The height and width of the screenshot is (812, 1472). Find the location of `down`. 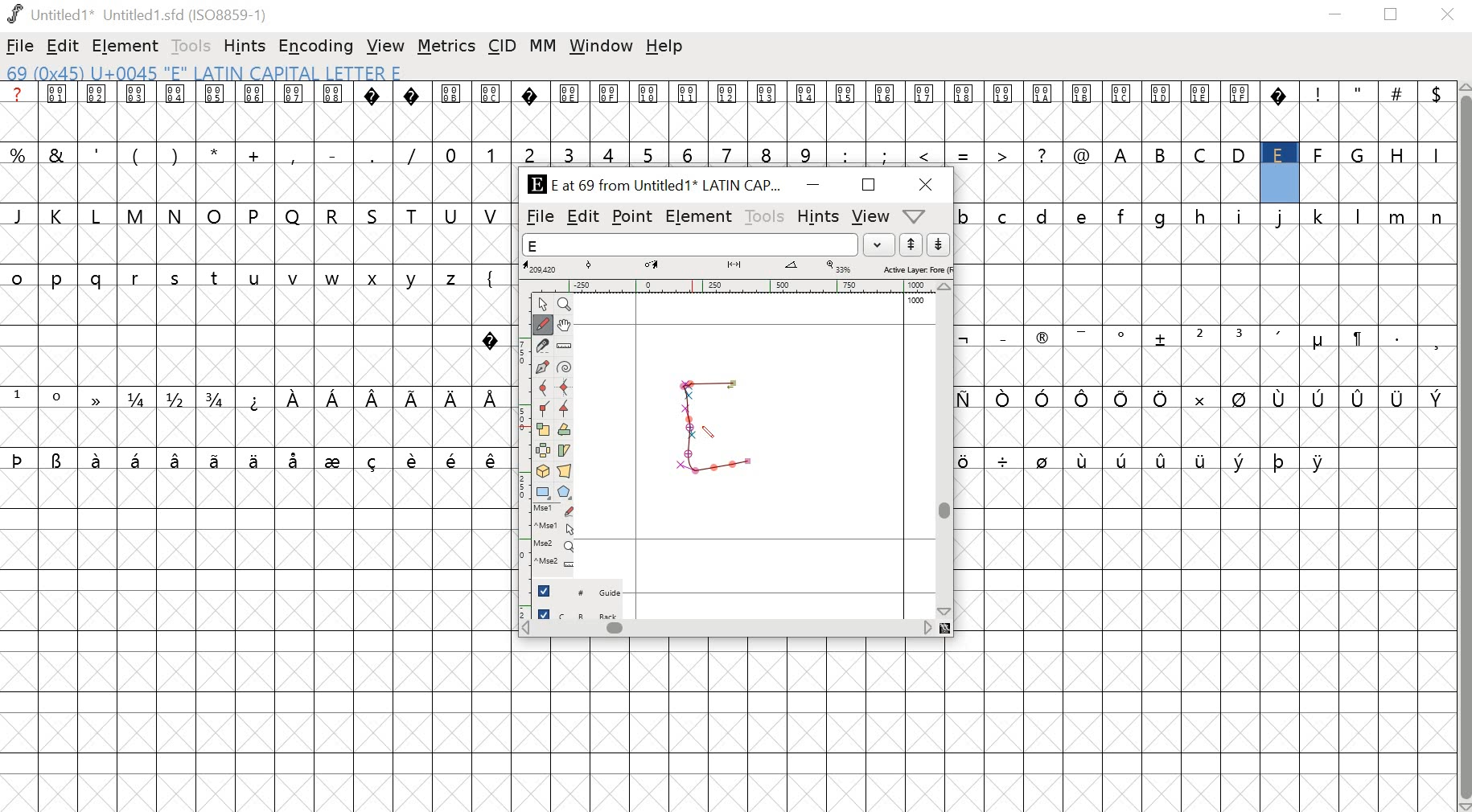

down is located at coordinates (937, 244).